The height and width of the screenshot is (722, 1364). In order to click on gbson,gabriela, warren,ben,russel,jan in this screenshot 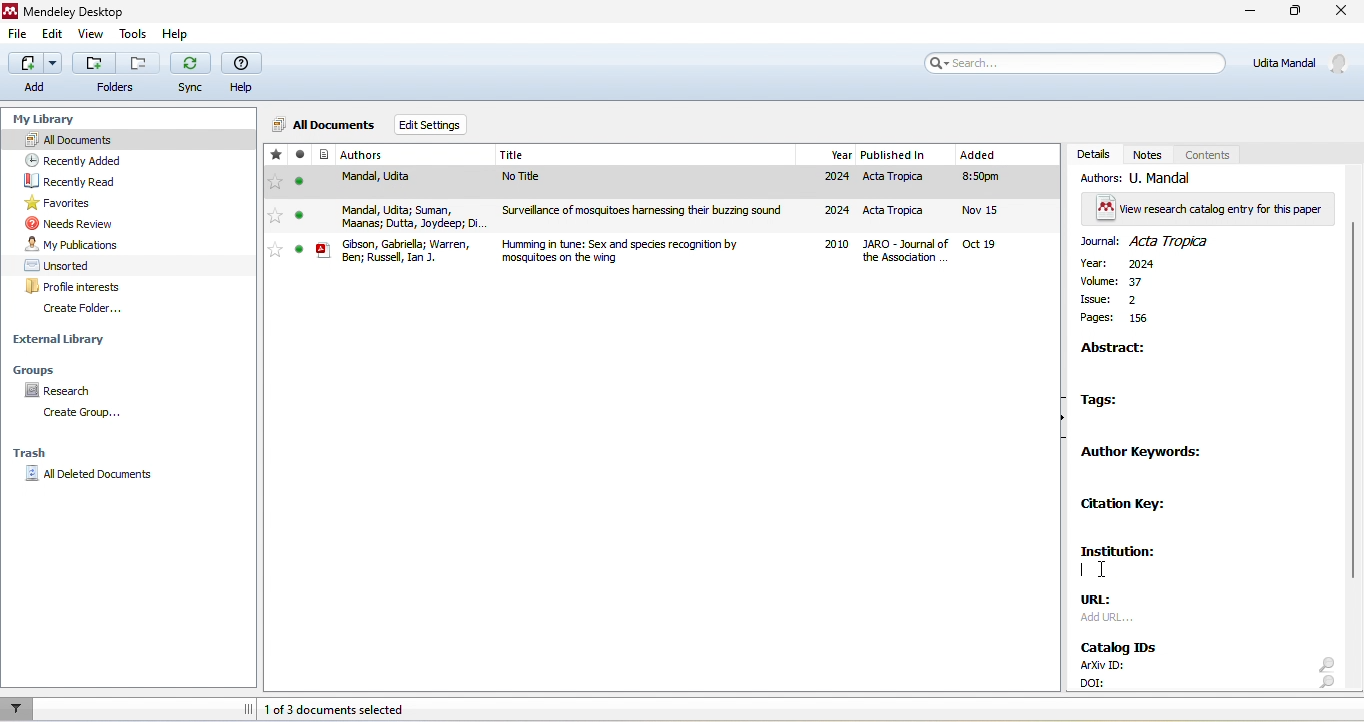, I will do `click(392, 249)`.